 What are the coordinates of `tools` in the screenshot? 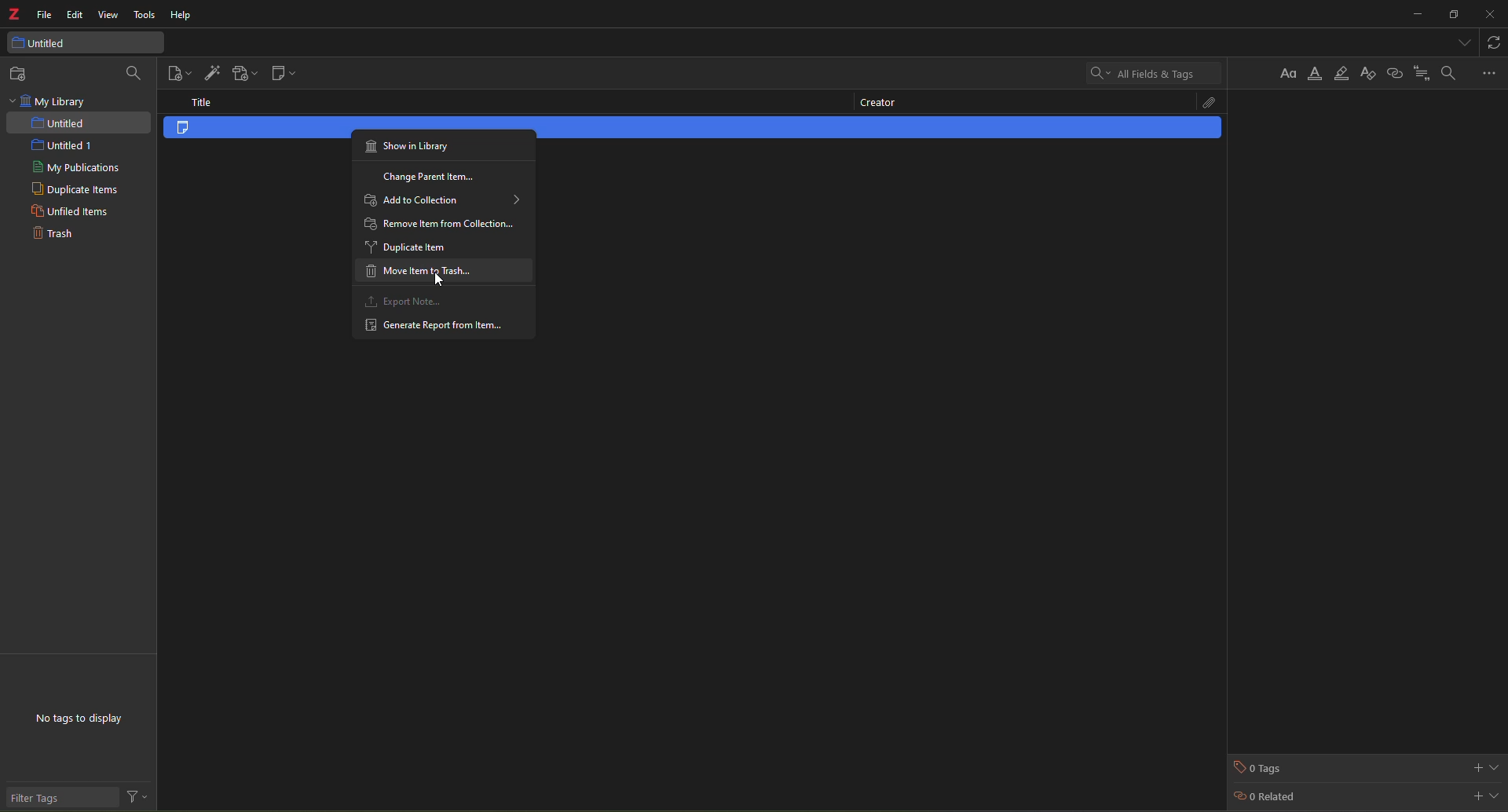 It's located at (146, 16).